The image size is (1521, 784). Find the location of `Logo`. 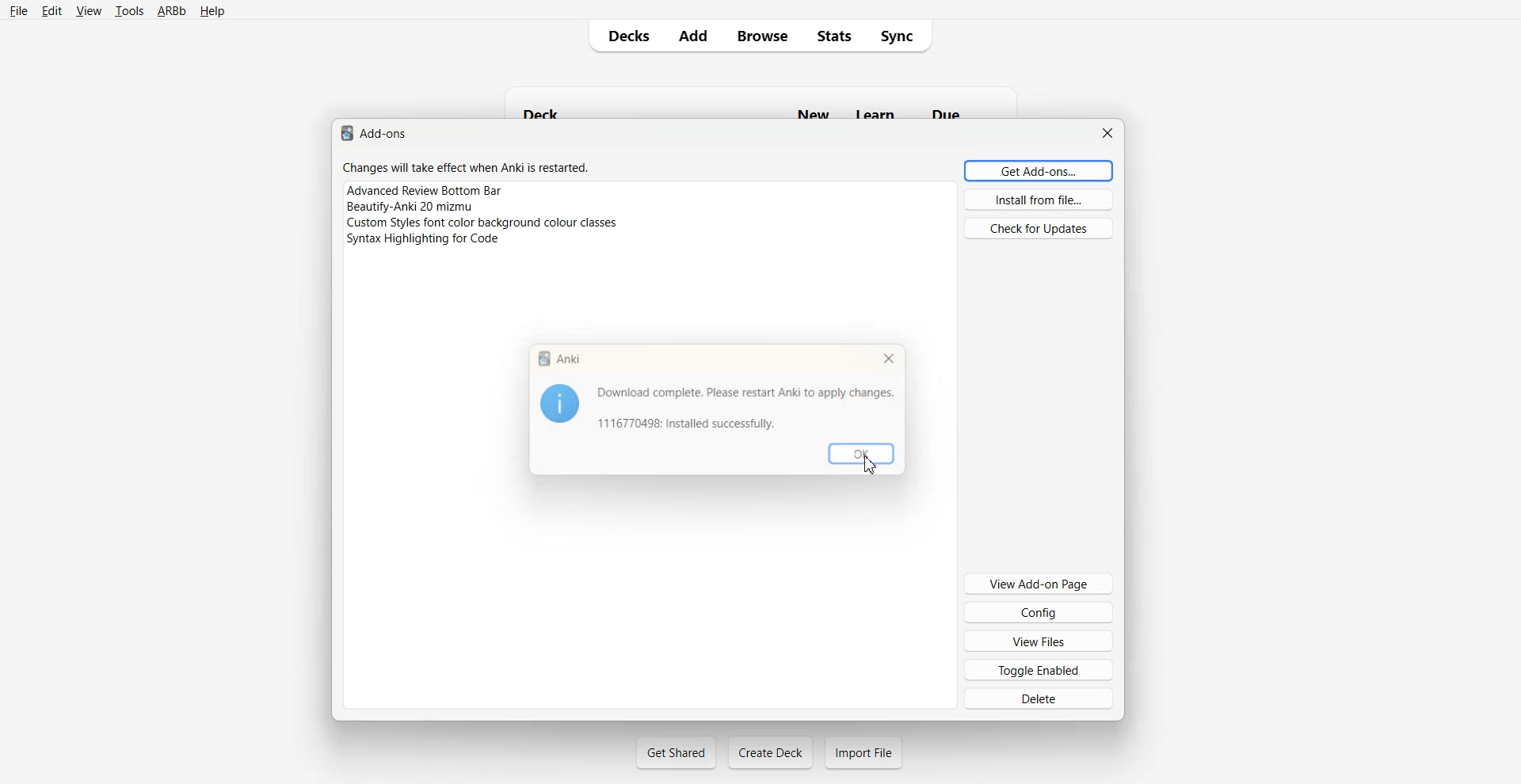

Logo is located at coordinates (560, 403).